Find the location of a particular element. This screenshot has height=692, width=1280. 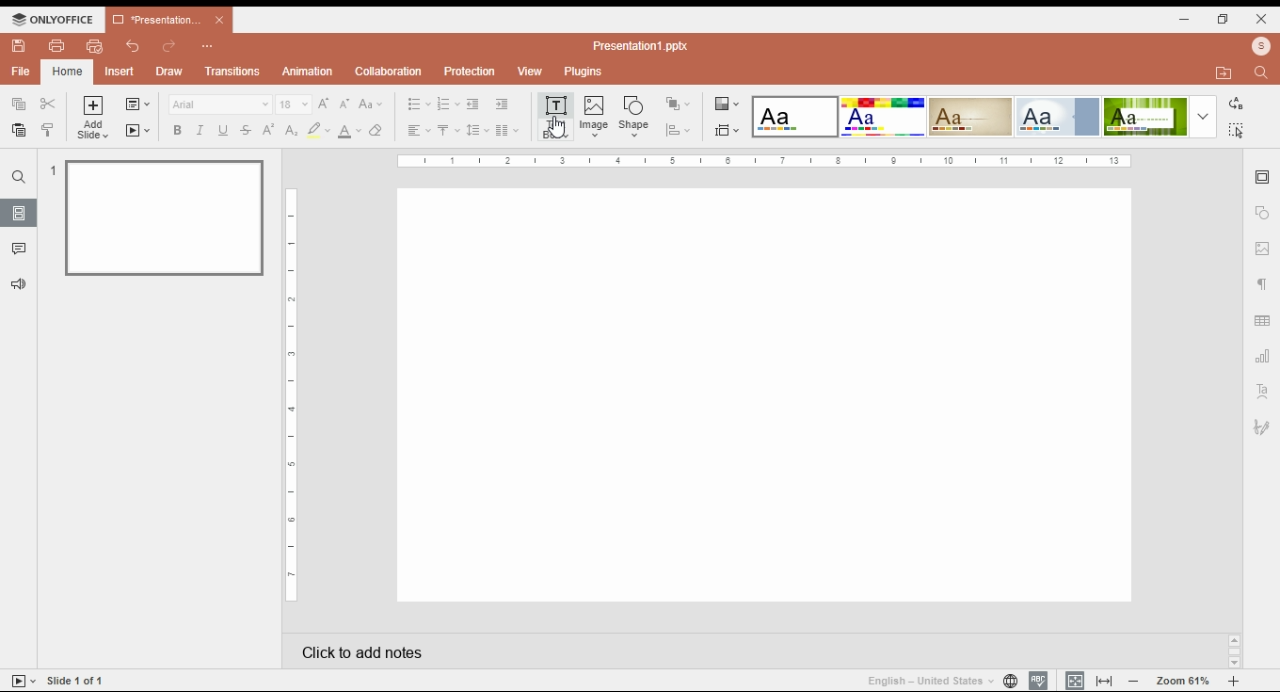

highlight color is located at coordinates (317, 129).